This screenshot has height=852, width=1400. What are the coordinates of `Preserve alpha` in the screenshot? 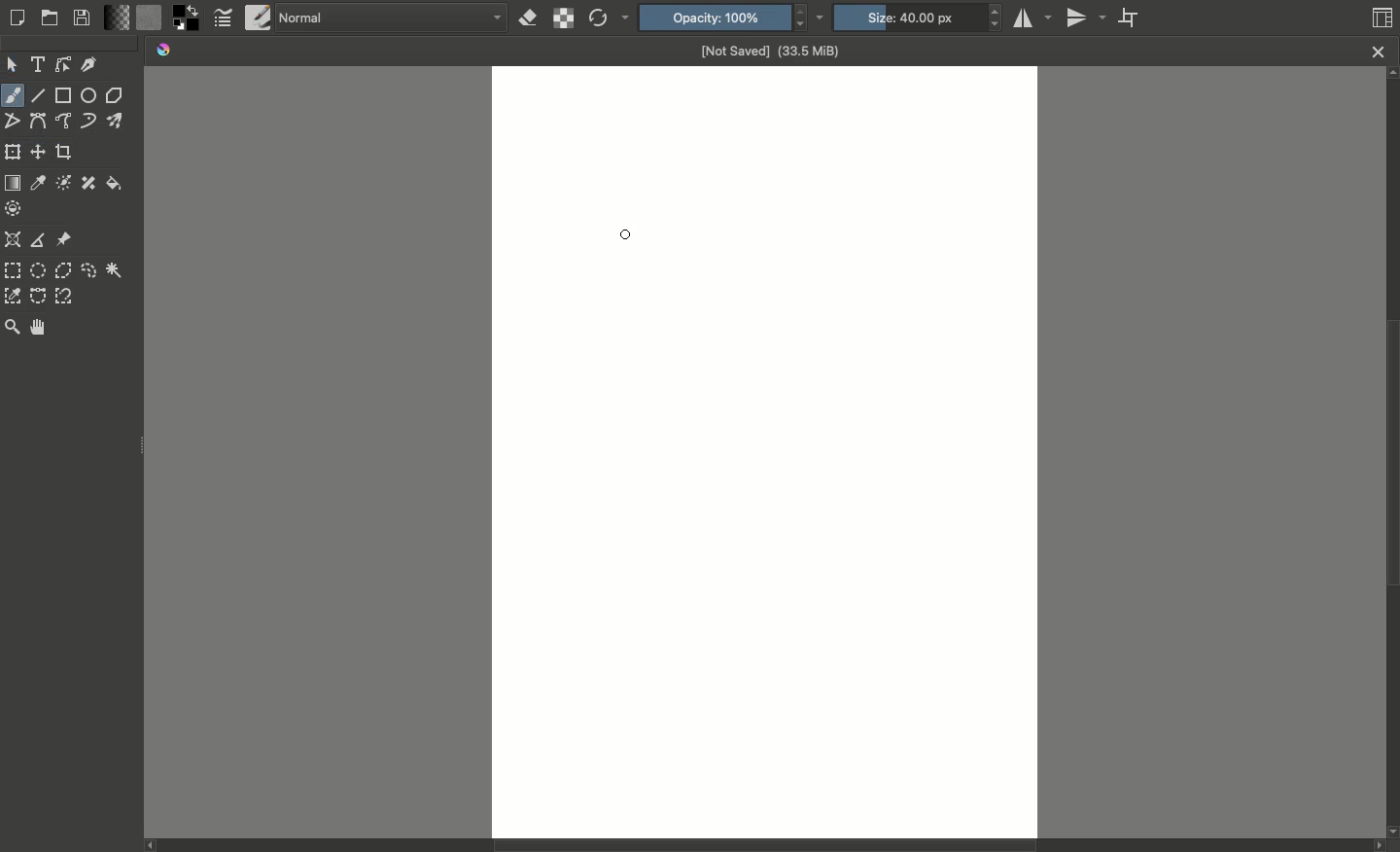 It's located at (562, 18).